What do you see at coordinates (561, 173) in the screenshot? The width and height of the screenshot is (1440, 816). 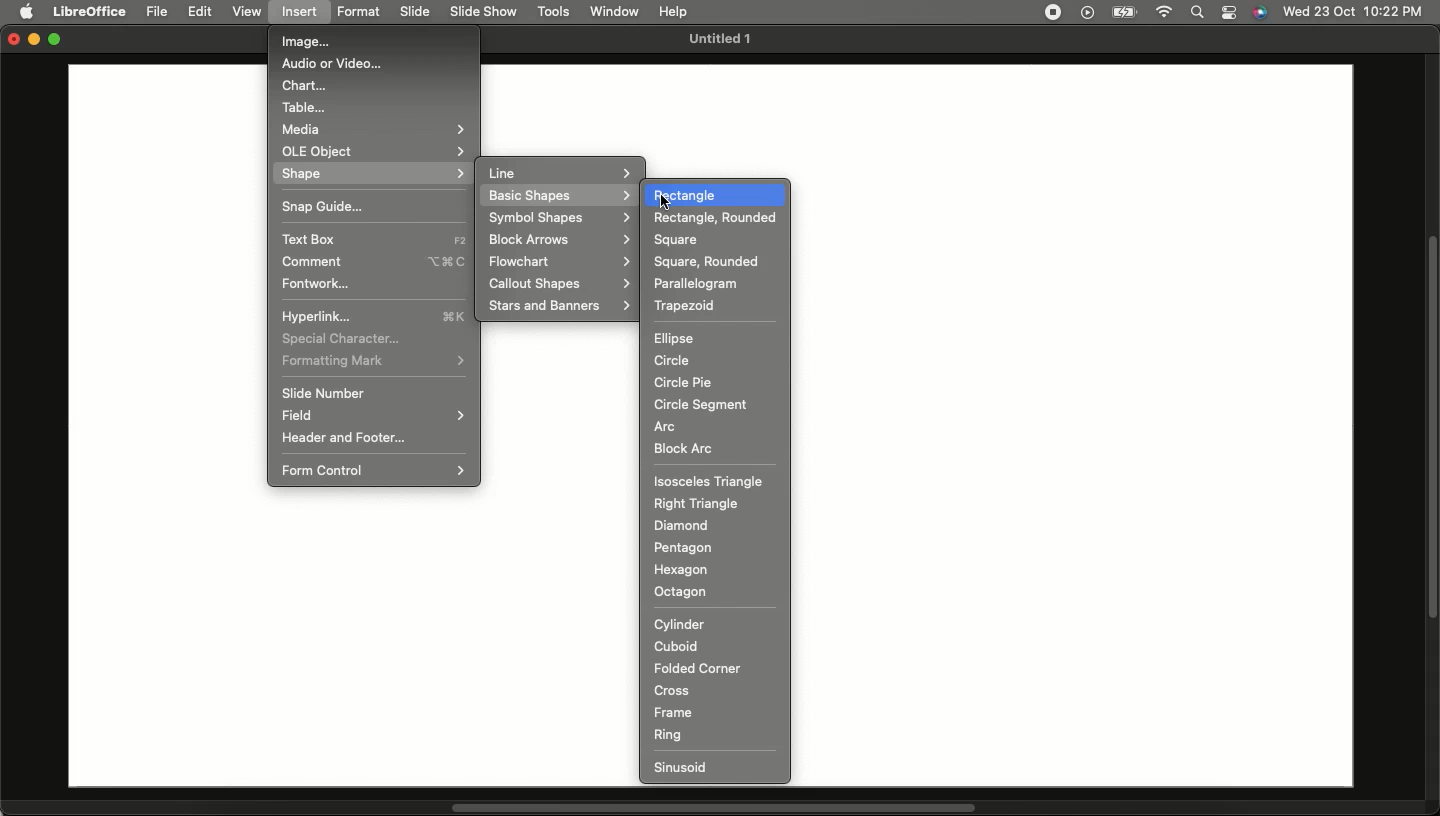 I see `Line` at bounding box center [561, 173].